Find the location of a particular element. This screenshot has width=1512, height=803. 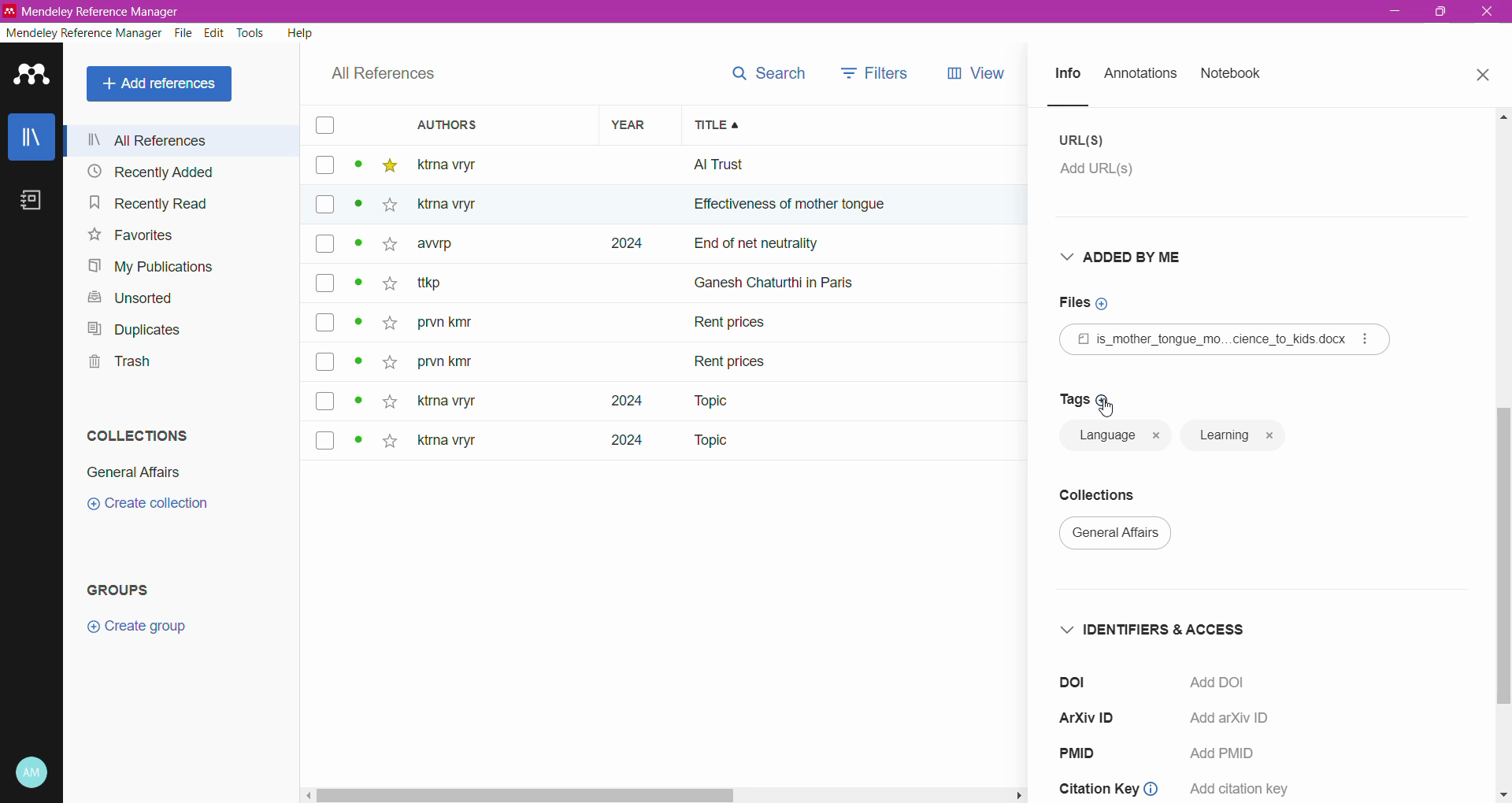

All References is located at coordinates (162, 84).